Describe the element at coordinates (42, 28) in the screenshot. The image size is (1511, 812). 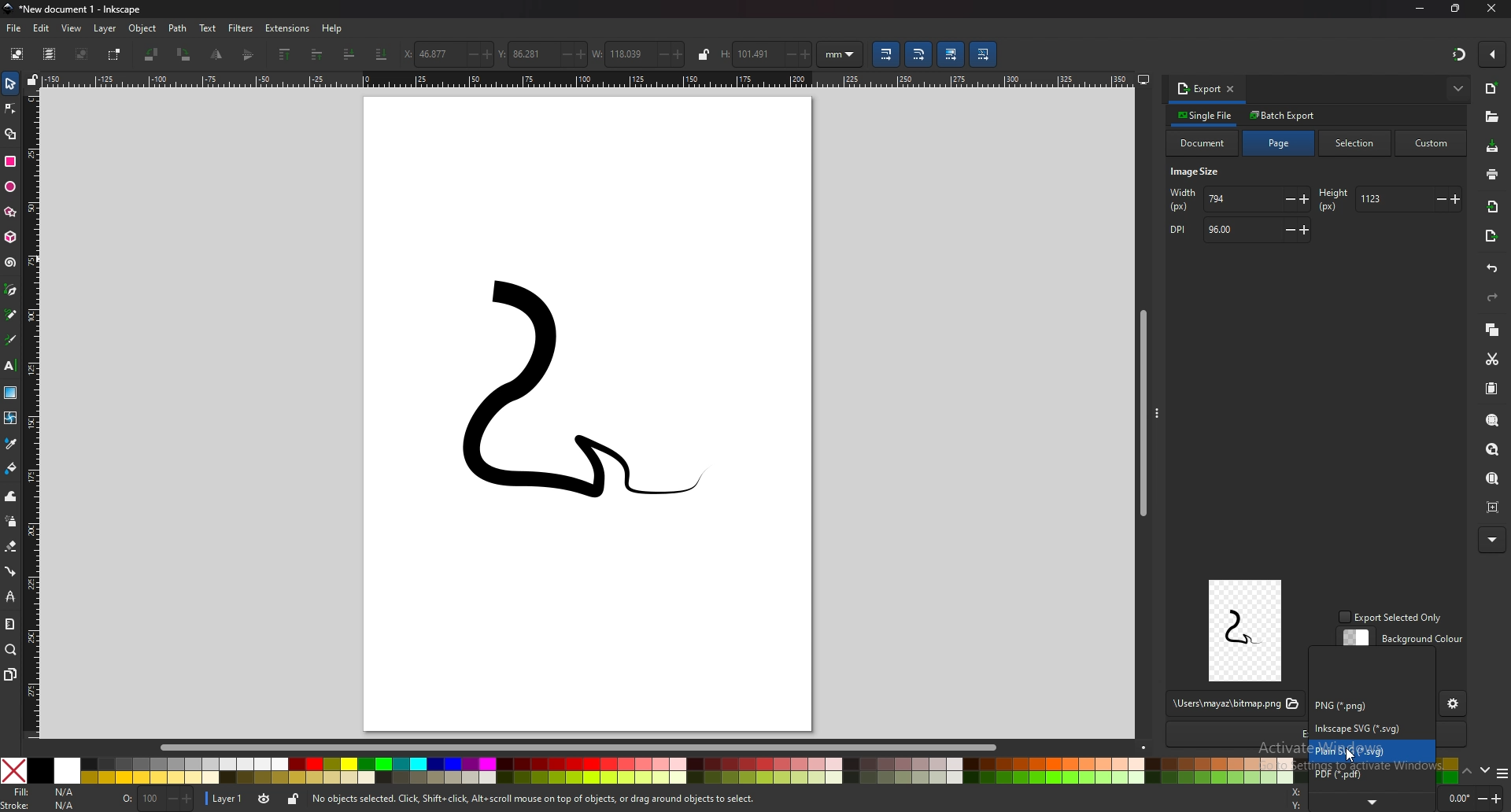
I see `edit` at that location.